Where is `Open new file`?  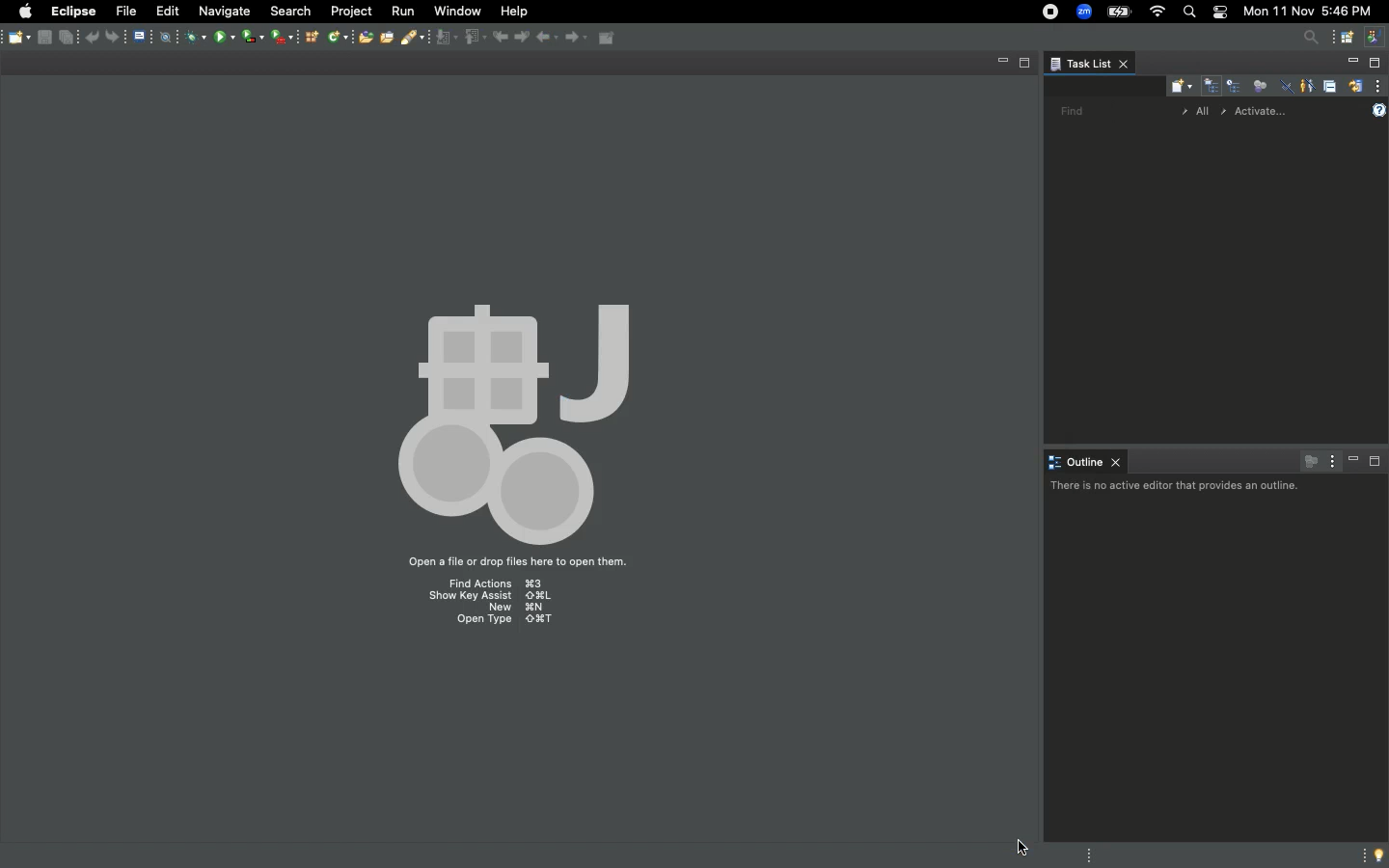 Open new file is located at coordinates (363, 38).